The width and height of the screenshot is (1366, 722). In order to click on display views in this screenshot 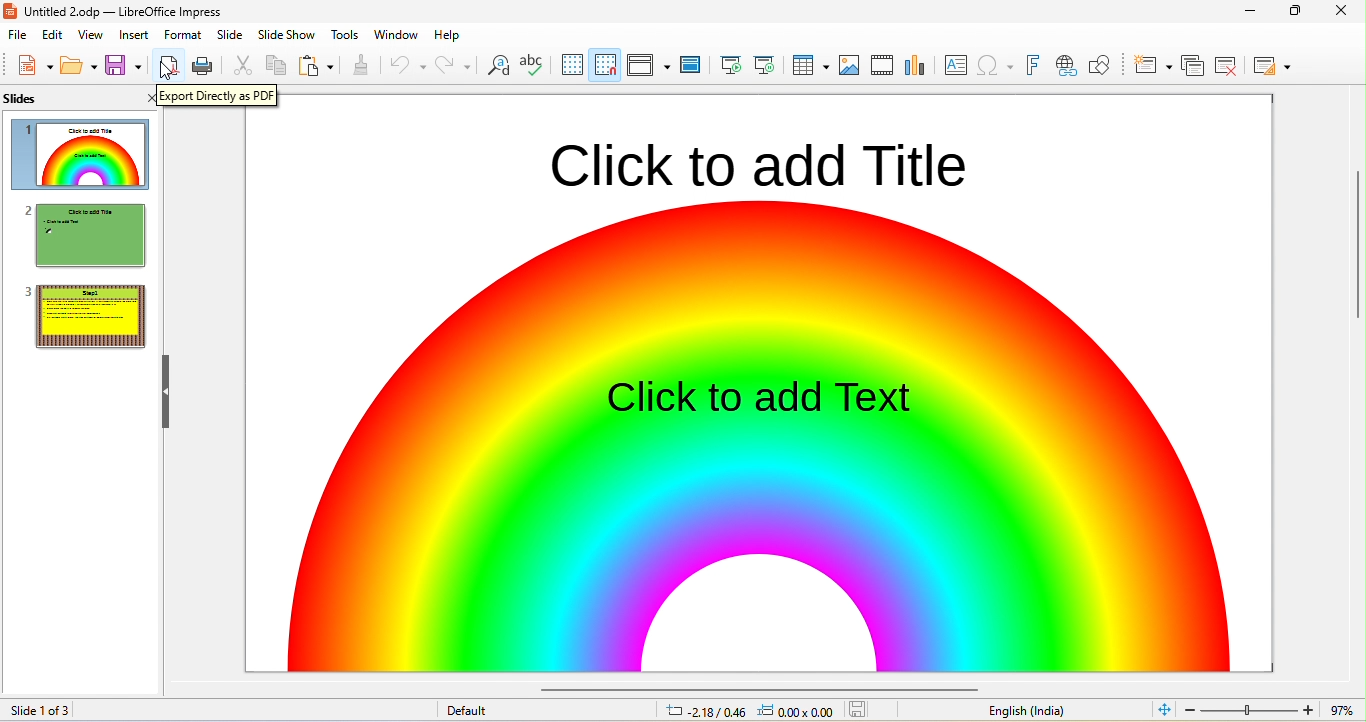, I will do `click(646, 64)`.